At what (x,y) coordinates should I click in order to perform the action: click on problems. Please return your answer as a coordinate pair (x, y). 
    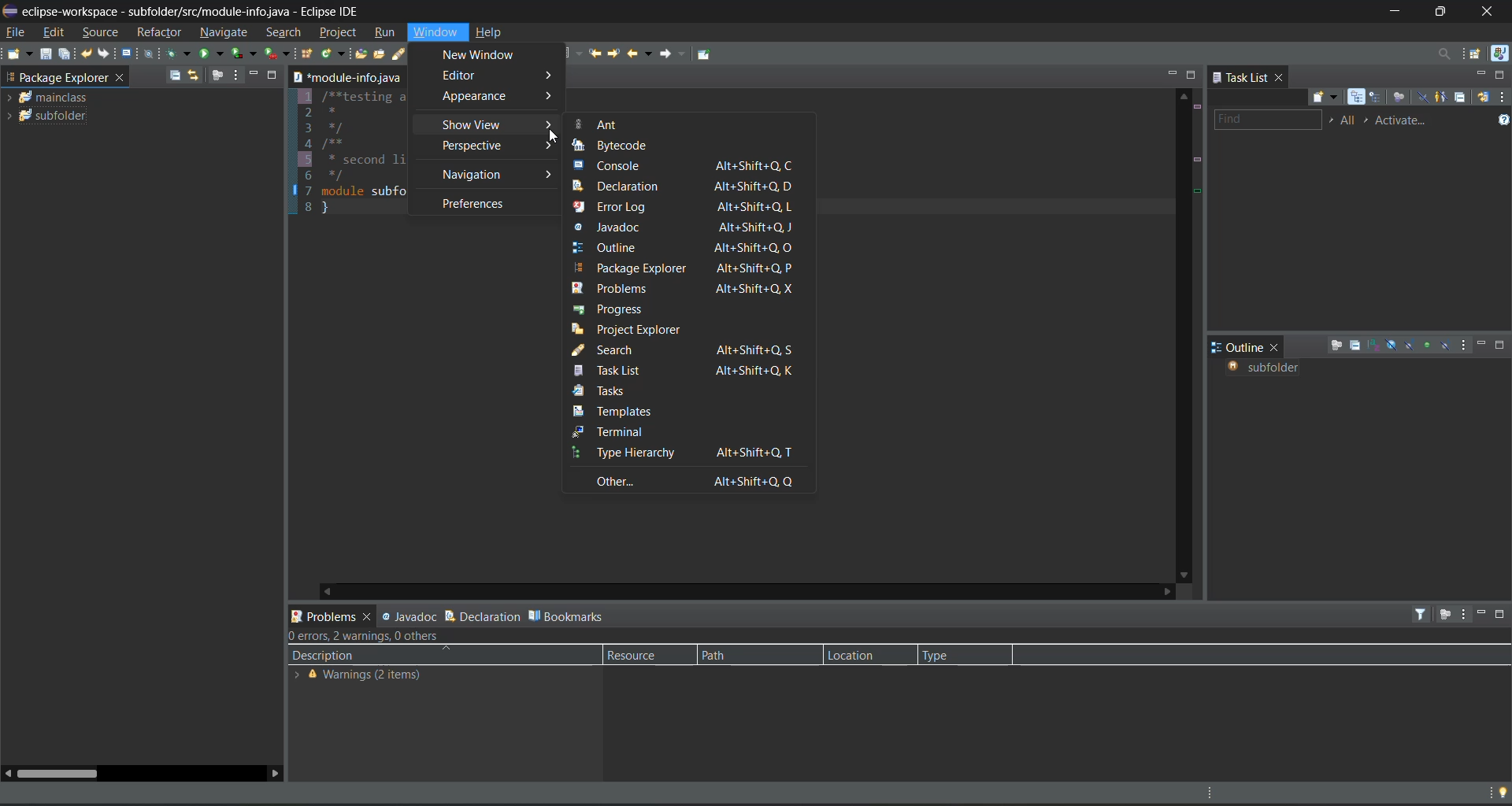
    Looking at the image, I should click on (331, 615).